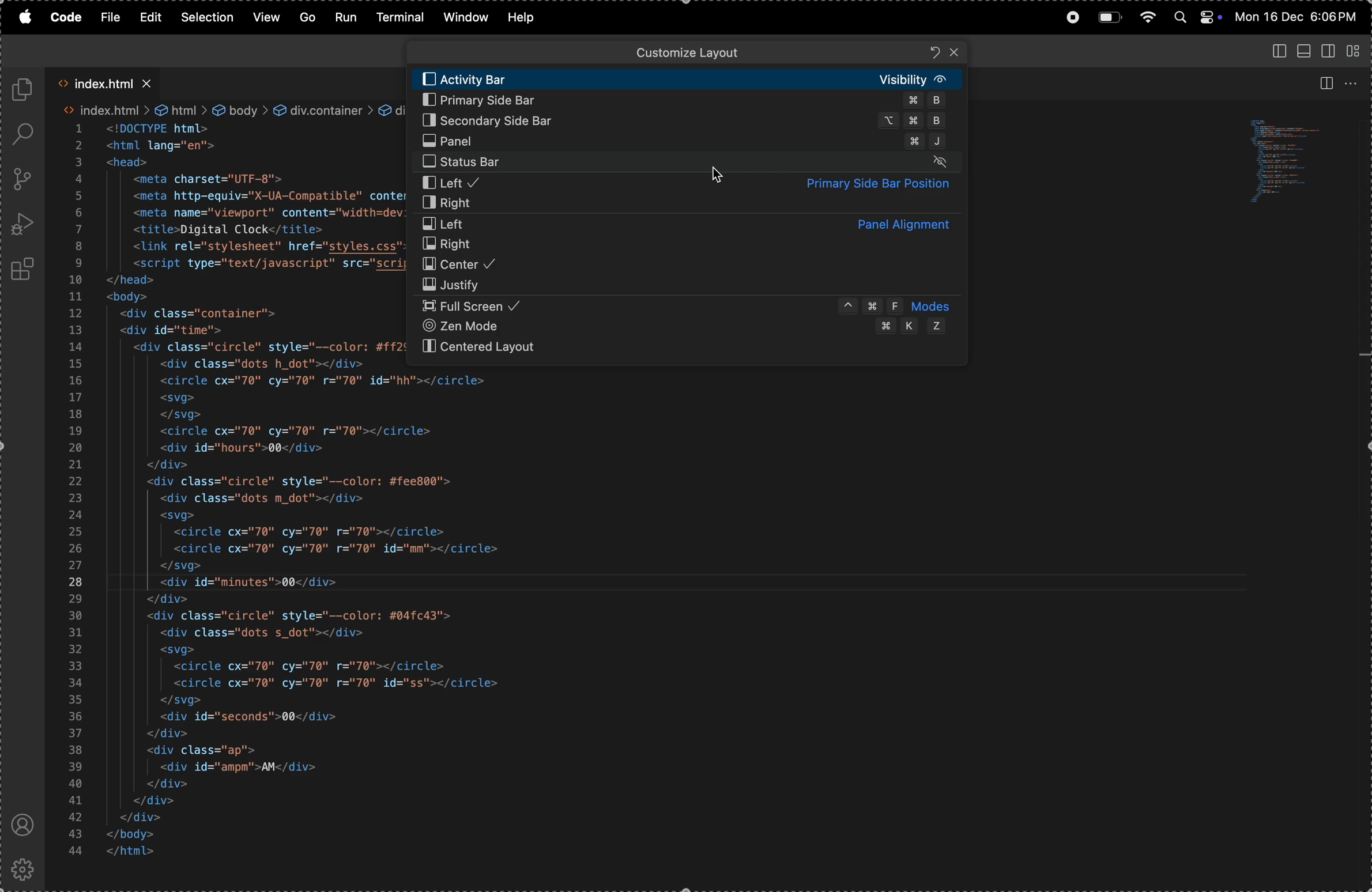 This screenshot has height=892, width=1372. I want to click on right, so click(691, 243).